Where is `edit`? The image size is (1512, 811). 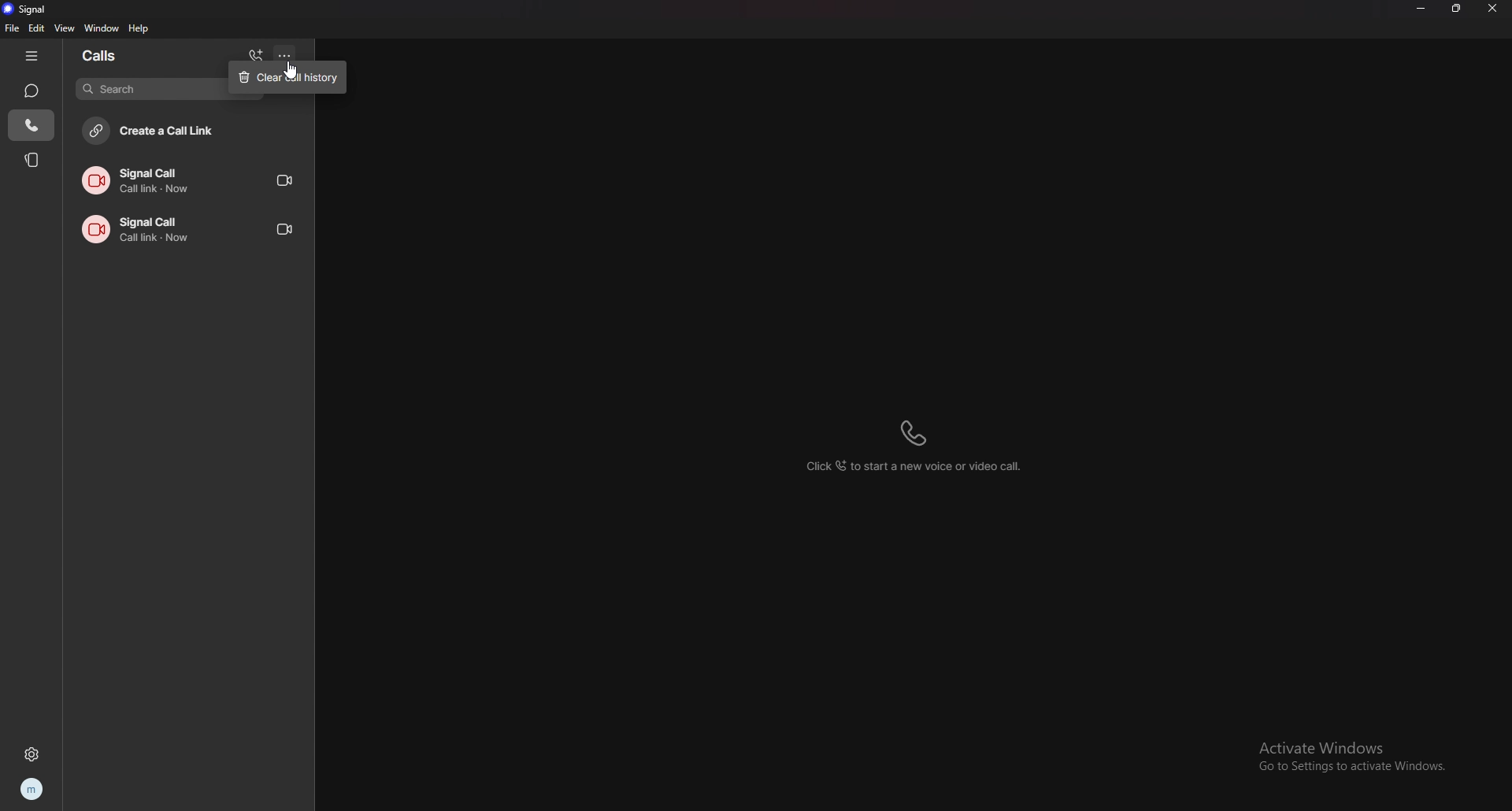
edit is located at coordinates (38, 28).